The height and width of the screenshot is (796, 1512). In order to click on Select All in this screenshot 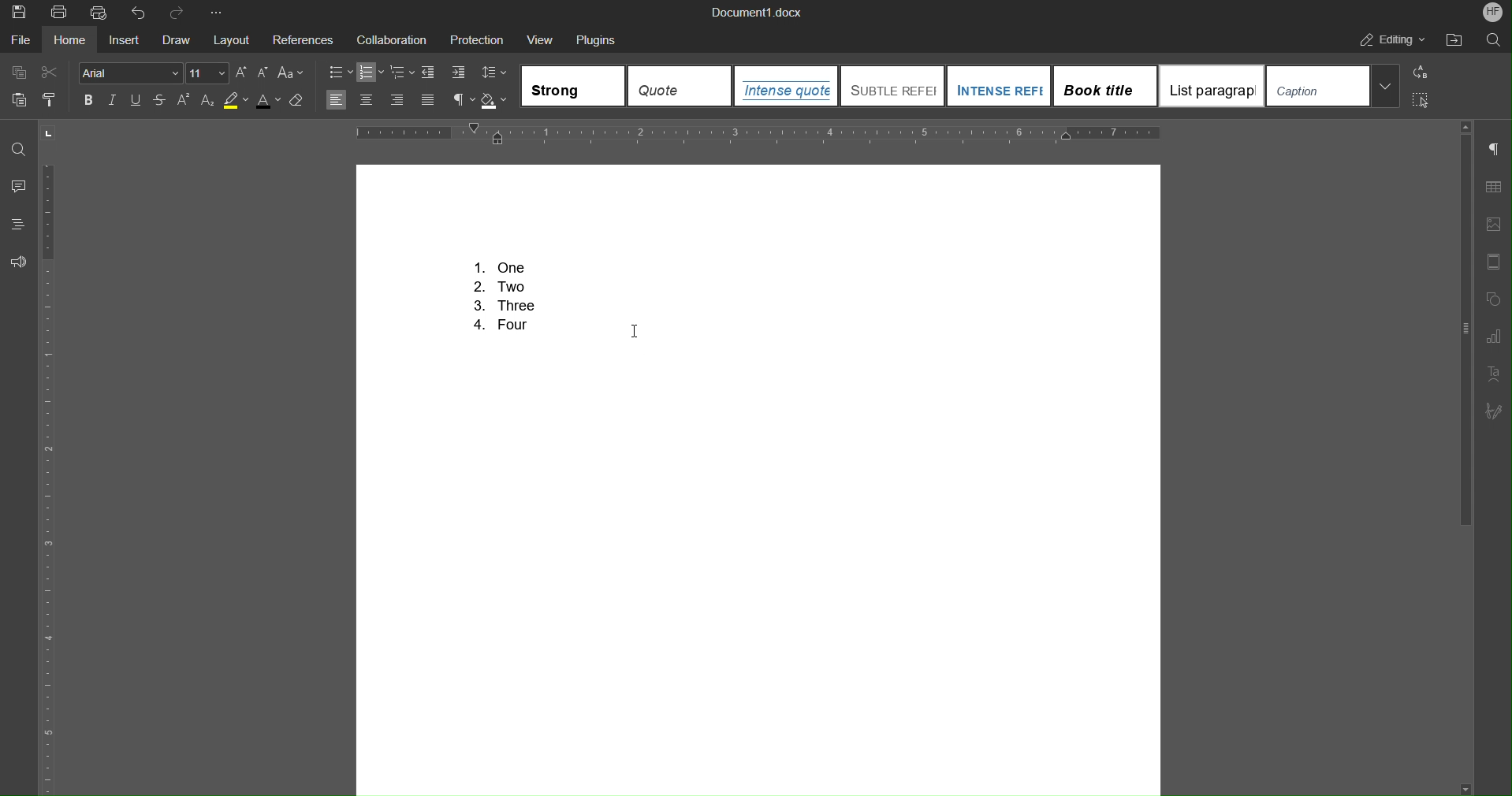, I will do `click(1420, 102)`.